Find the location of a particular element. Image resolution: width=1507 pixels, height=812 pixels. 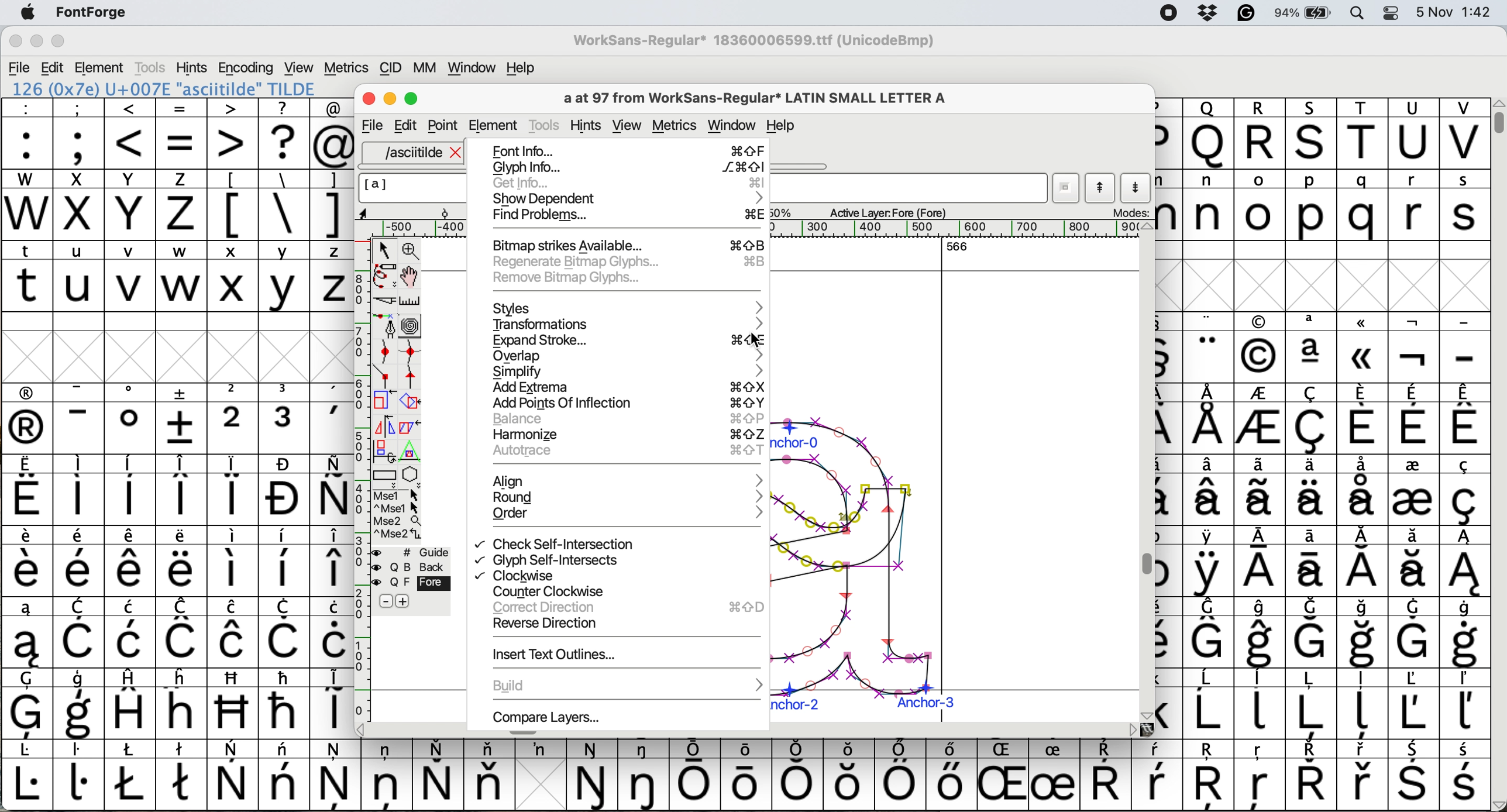

add a curve point is located at coordinates (386, 352).